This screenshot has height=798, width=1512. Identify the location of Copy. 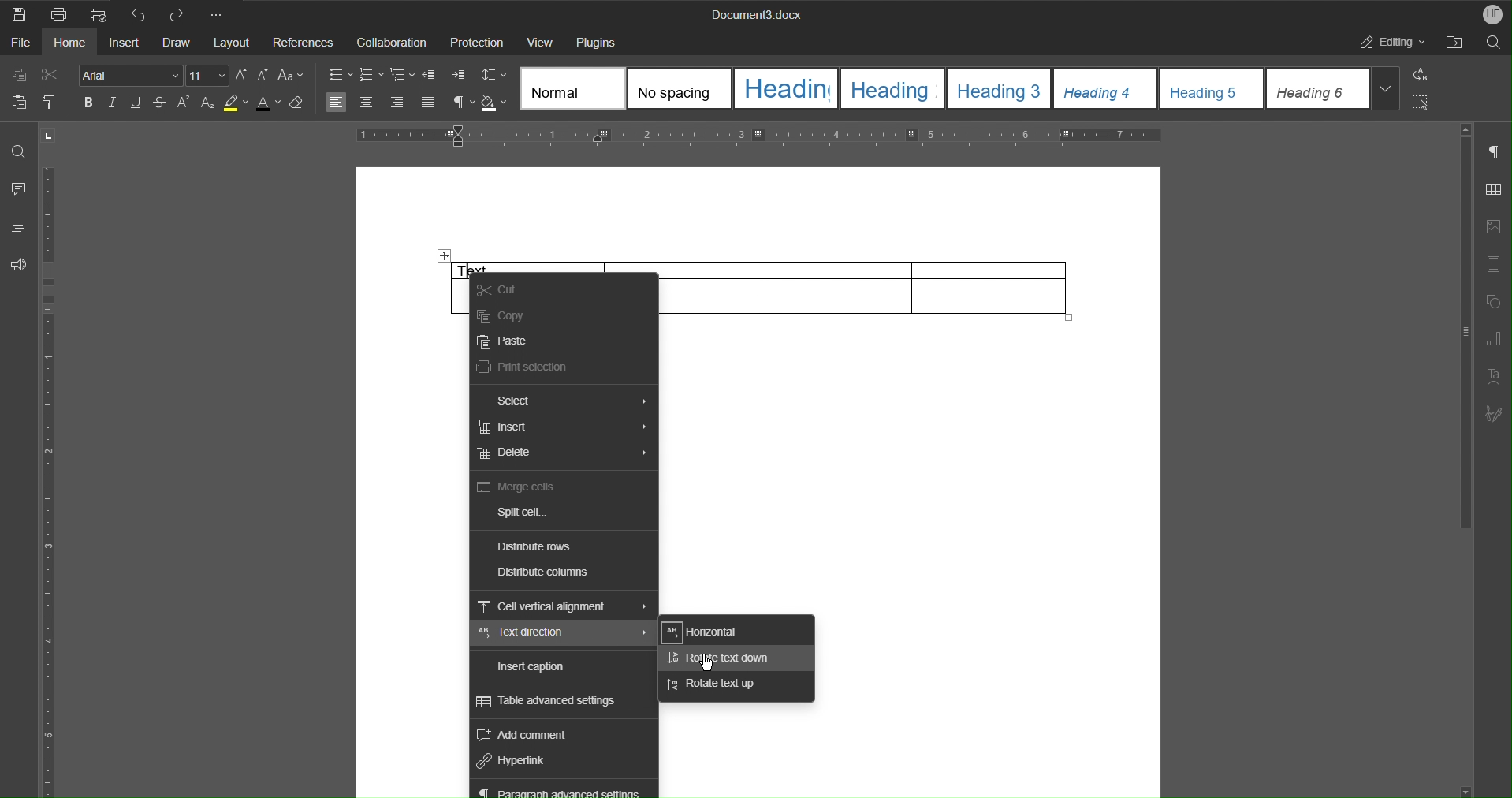
(502, 316).